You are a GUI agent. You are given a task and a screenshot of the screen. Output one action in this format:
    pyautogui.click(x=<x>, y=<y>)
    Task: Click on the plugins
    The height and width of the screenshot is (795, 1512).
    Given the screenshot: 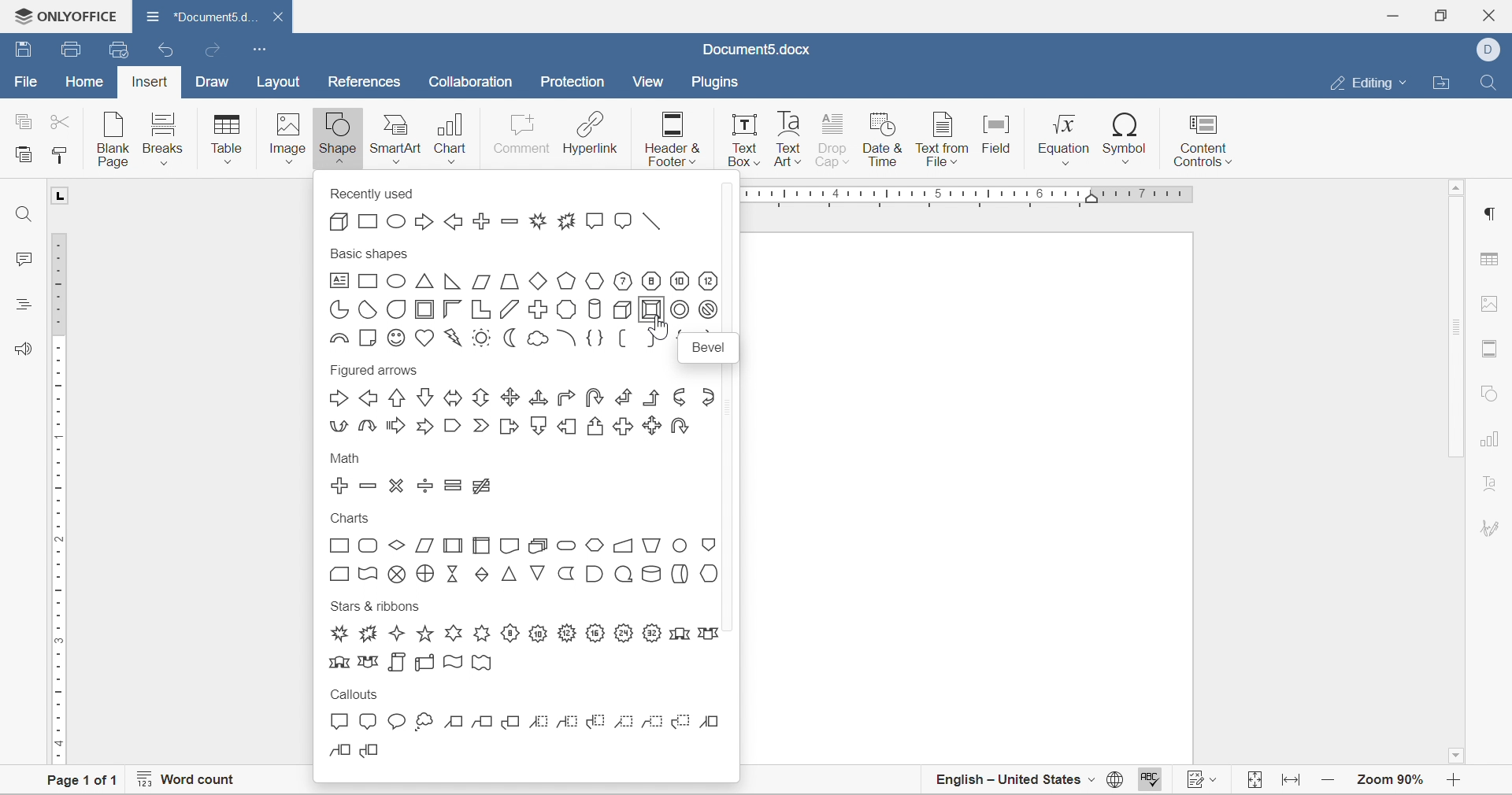 What is the action you would take?
    pyautogui.click(x=717, y=85)
    